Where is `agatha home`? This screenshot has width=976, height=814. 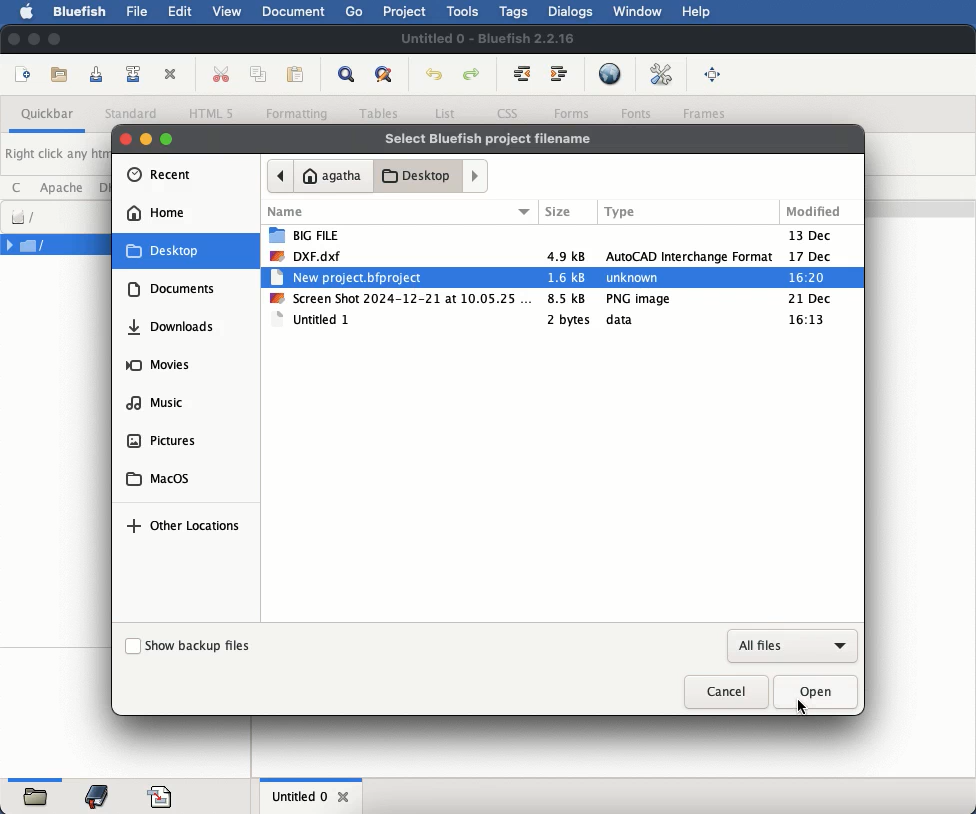
agatha home is located at coordinates (331, 178).